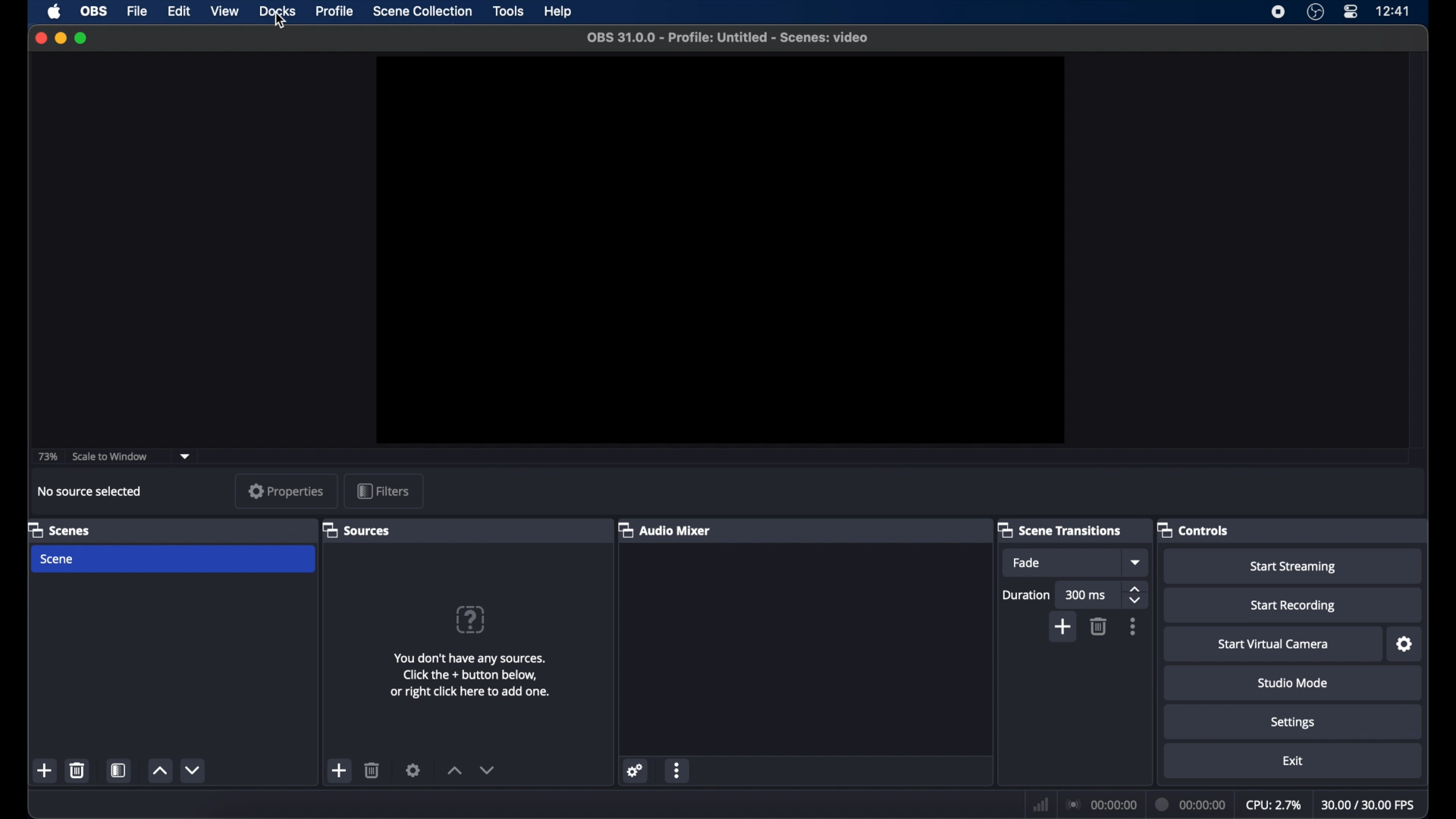 Image resolution: width=1456 pixels, height=819 pixels. What do you see at coordinates (1274, 645) in the screenshot?
I see `start virtual camera` at bounding box center [1274, 645].